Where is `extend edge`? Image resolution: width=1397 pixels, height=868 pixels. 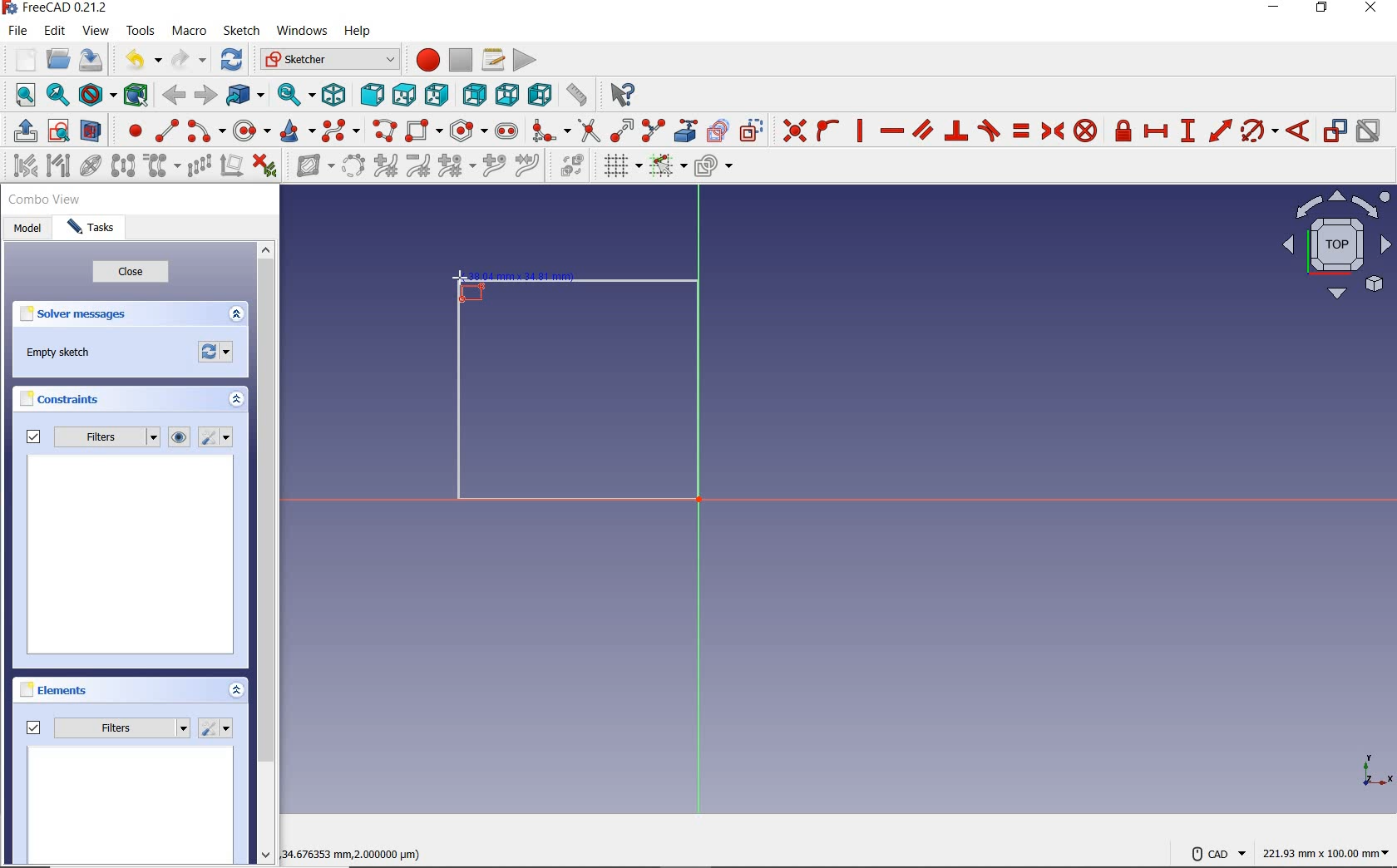
extend edge is located at coordinates (623, 131).